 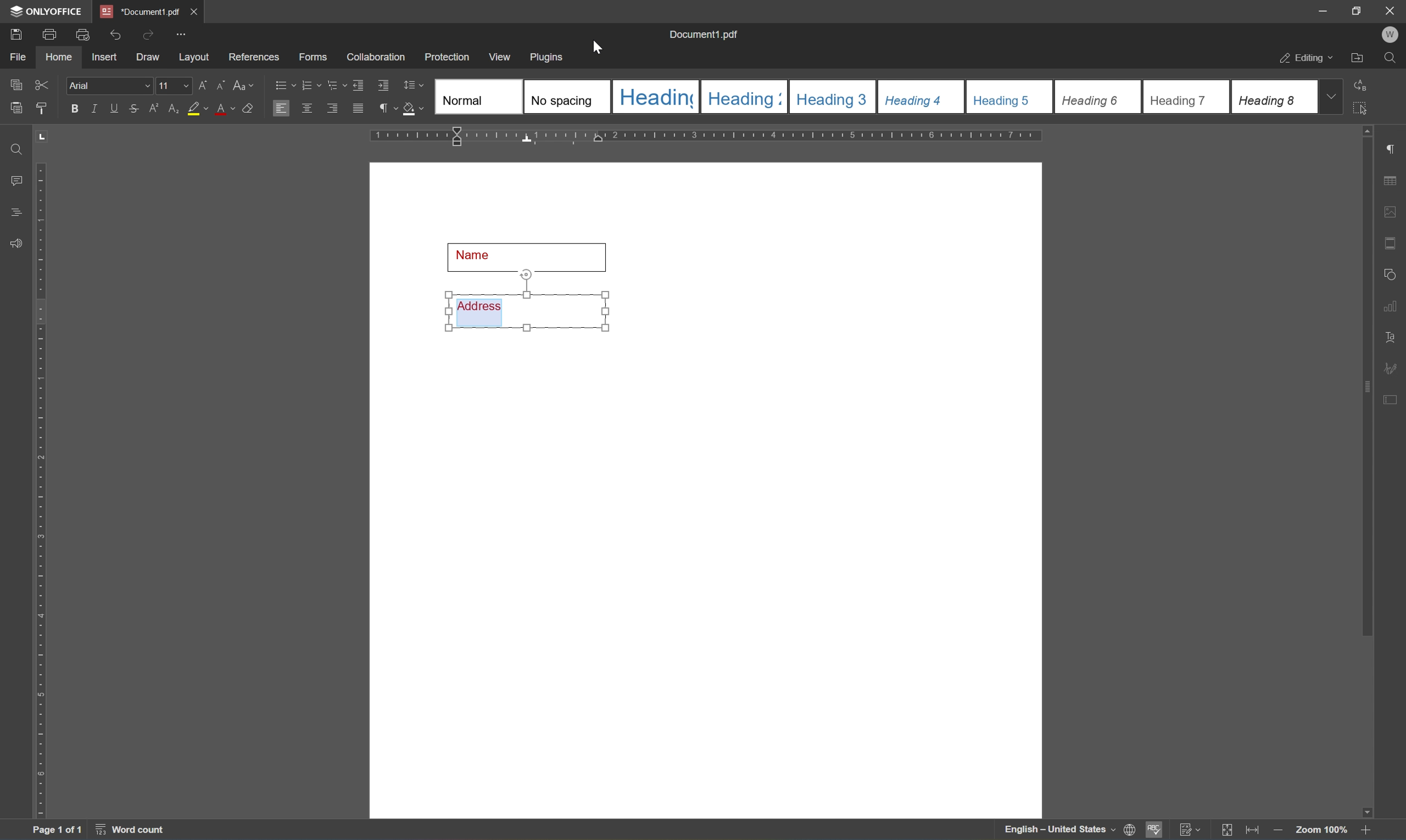 I want to click on track changes, so click(x=1191, y=830).